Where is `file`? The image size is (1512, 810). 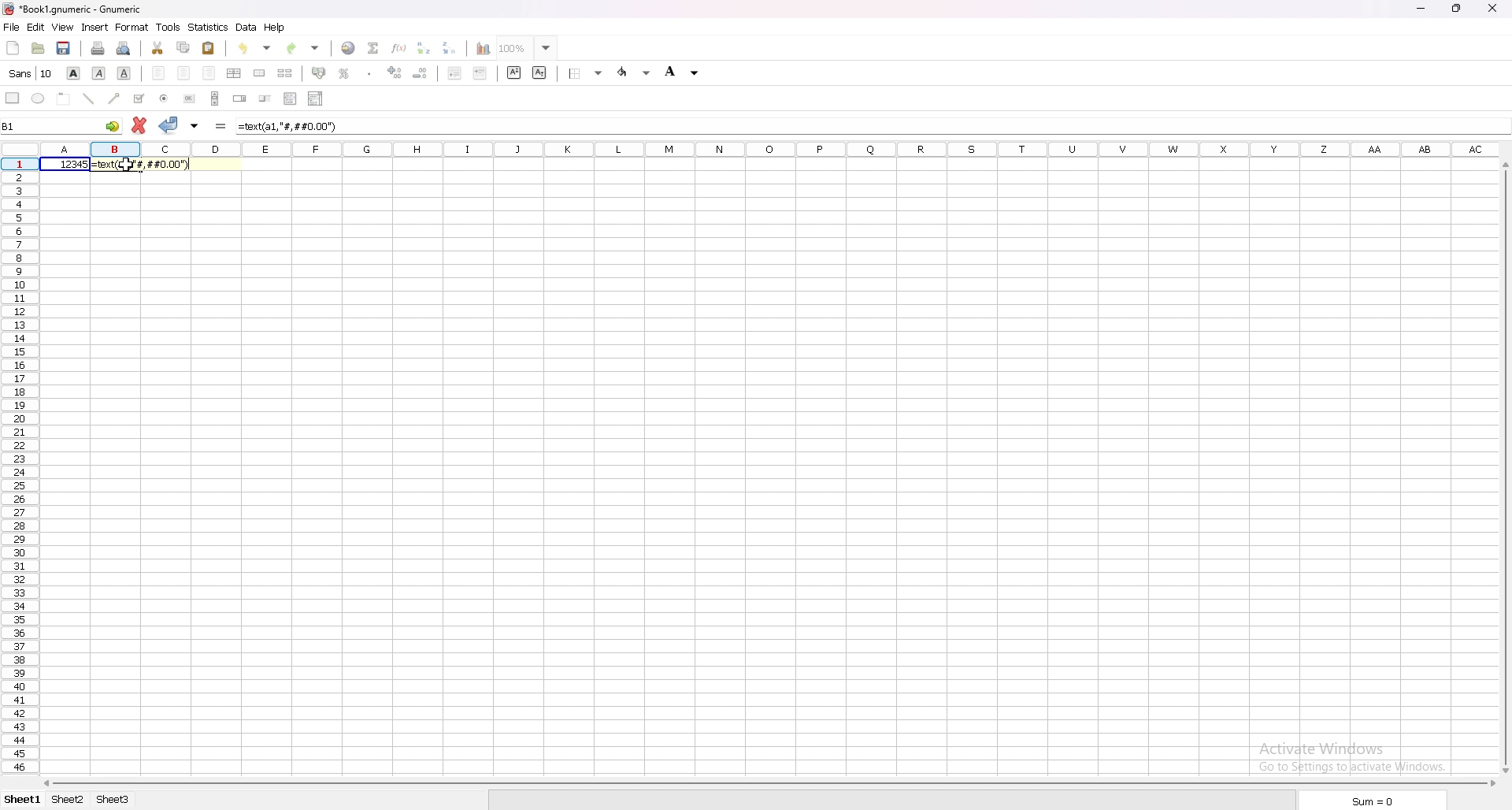 file is located at coordinates (11, 28).